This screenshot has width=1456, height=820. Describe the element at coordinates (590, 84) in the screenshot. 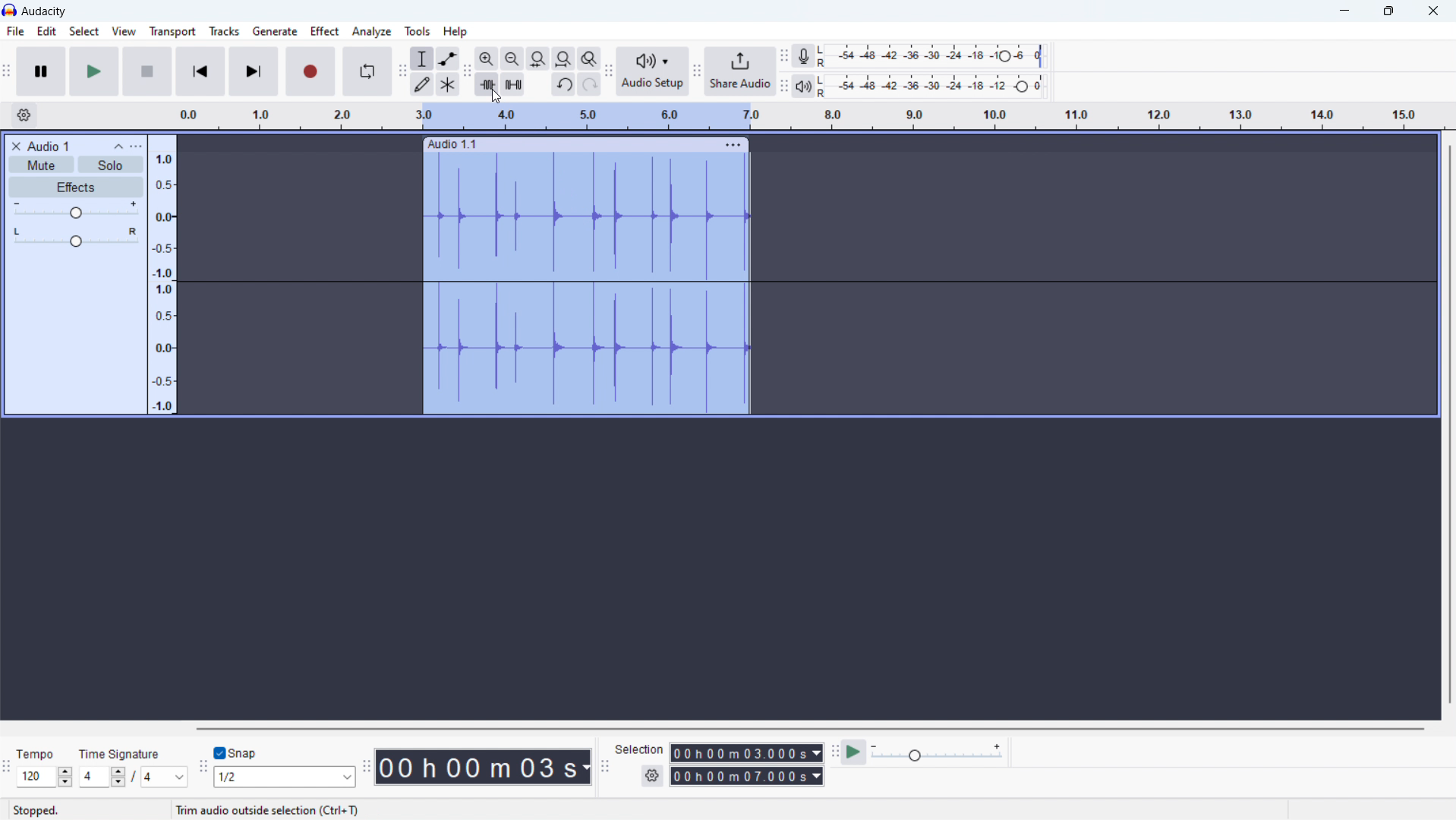

I see `redo` at that location.